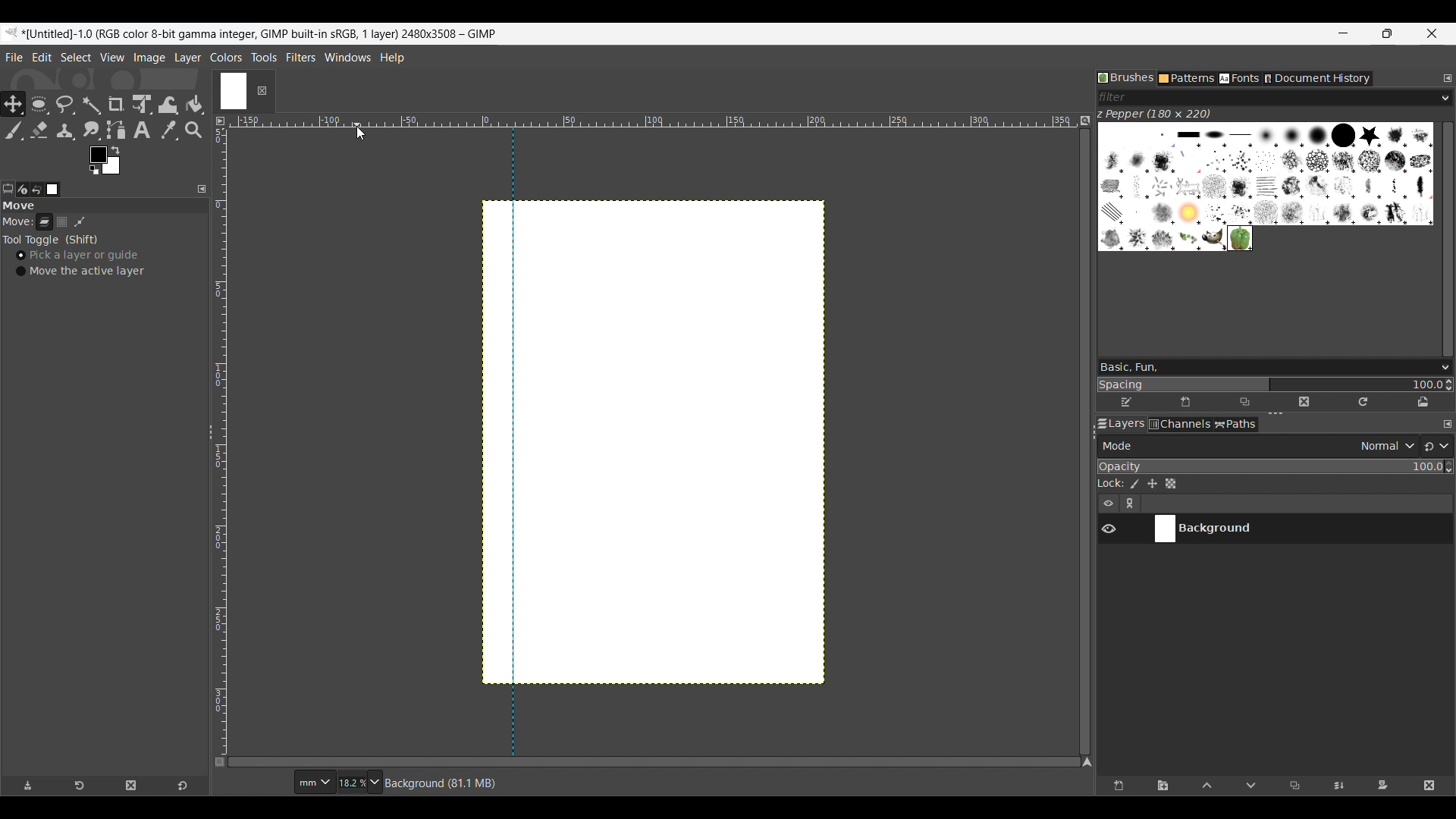 The image size is (1456, 819). What do you see at coordinates (1271, 466) in the screenshot?
I see `Scale to change opacity` at bounding box center [1271, 466].